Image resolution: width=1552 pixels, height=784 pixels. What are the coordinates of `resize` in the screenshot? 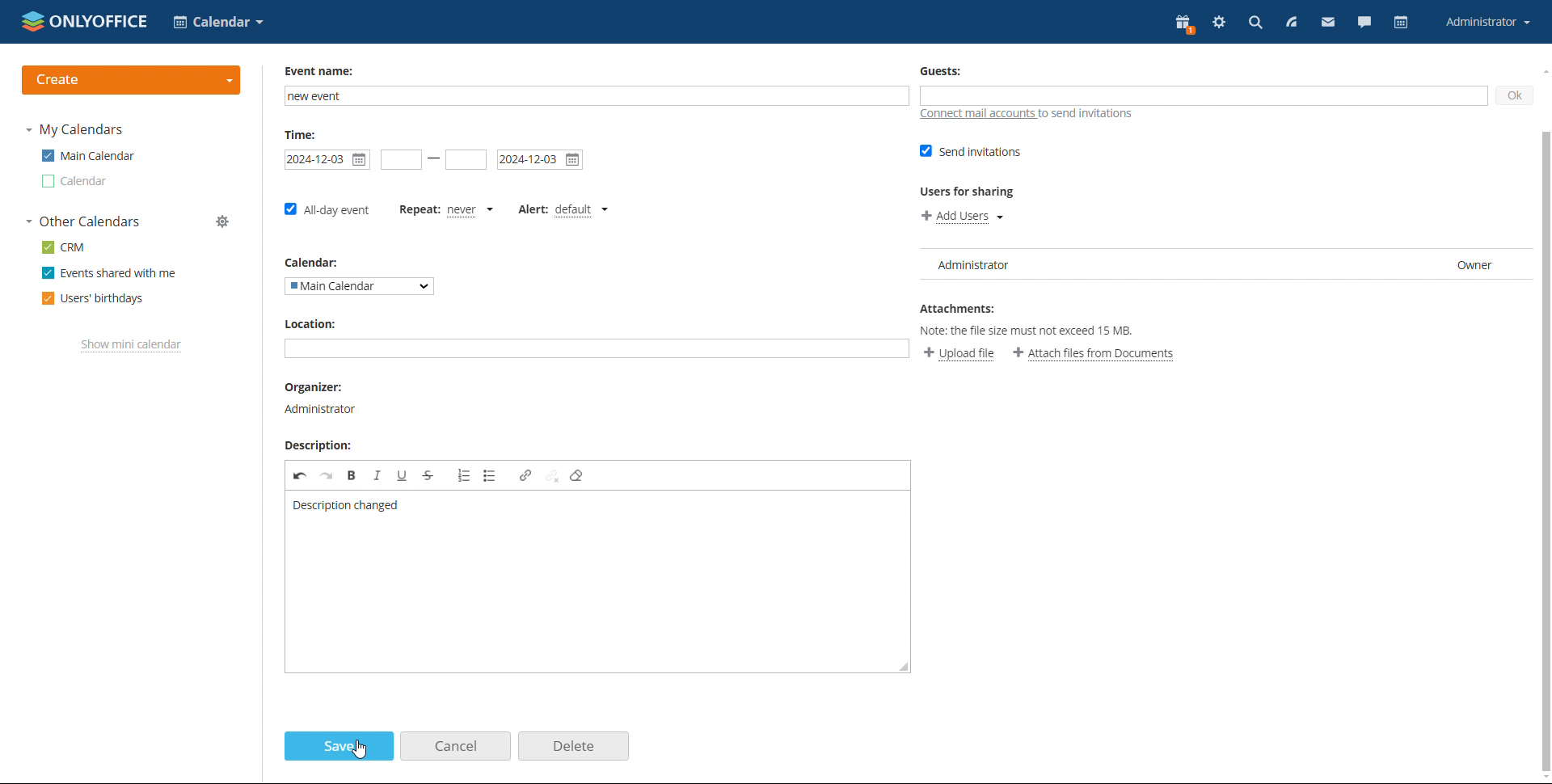 It's located at (905, 668).